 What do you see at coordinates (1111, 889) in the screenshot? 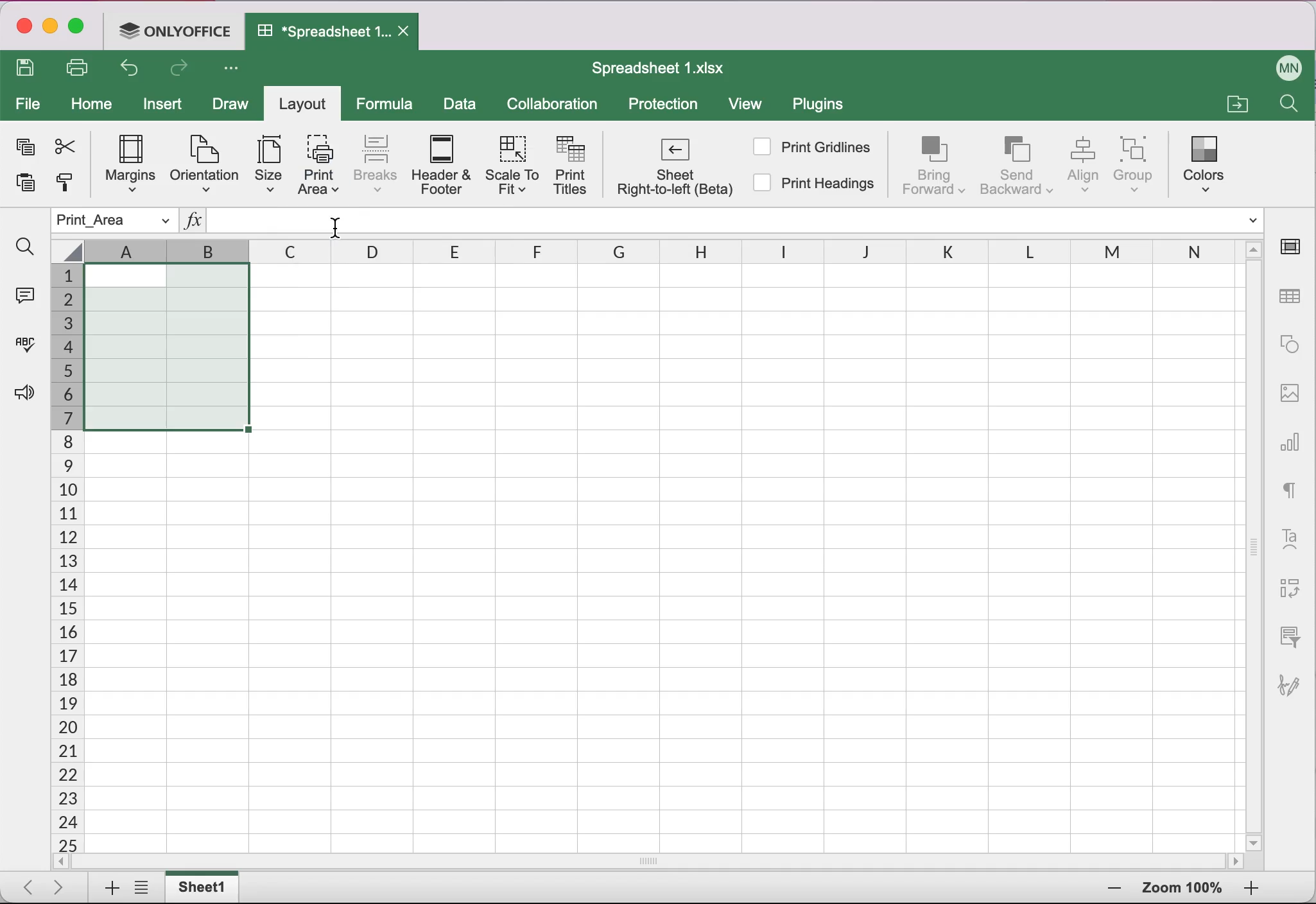
I see `zoom in` at bounding box center [1111, 889].